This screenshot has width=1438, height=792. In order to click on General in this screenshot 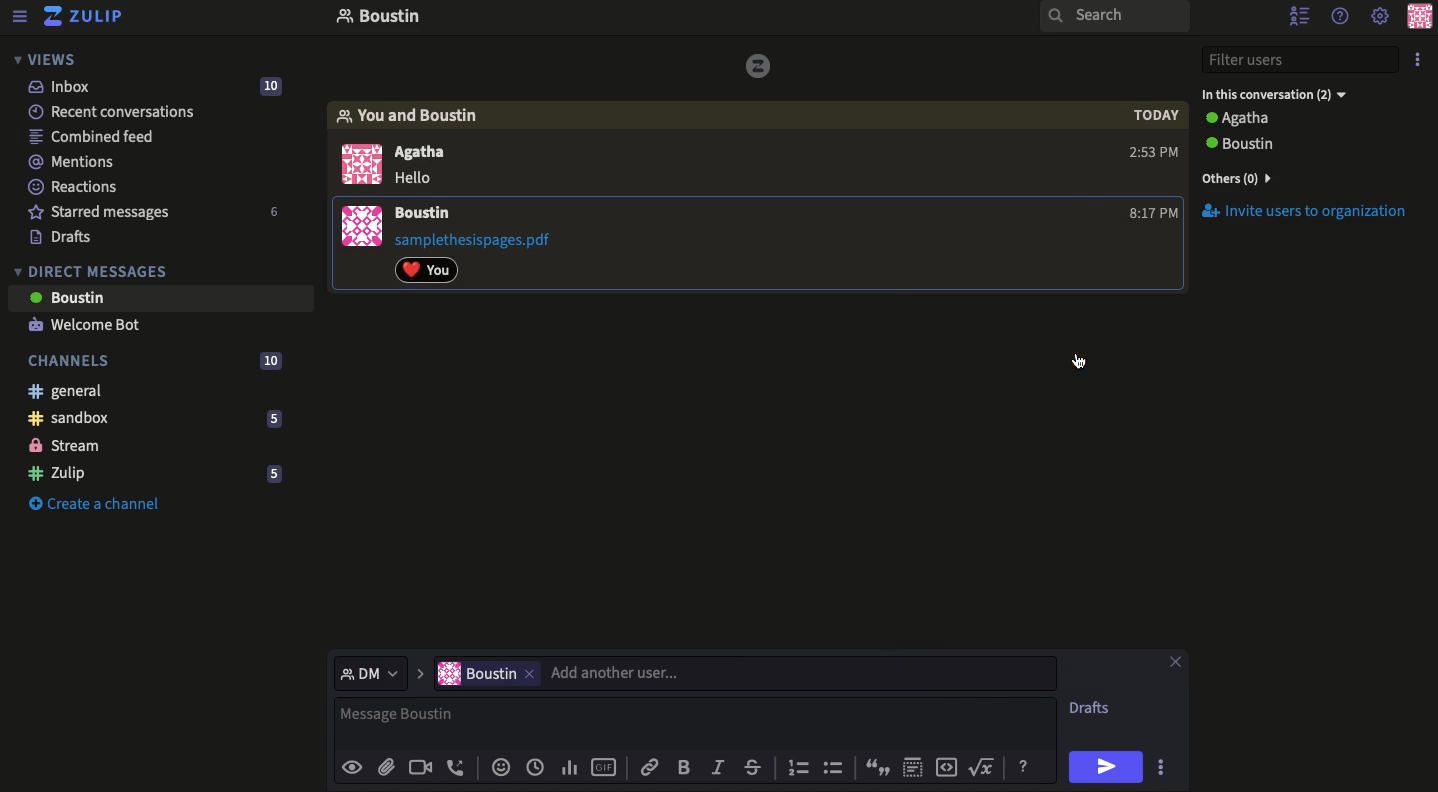, I will do `click(66, 391)`.